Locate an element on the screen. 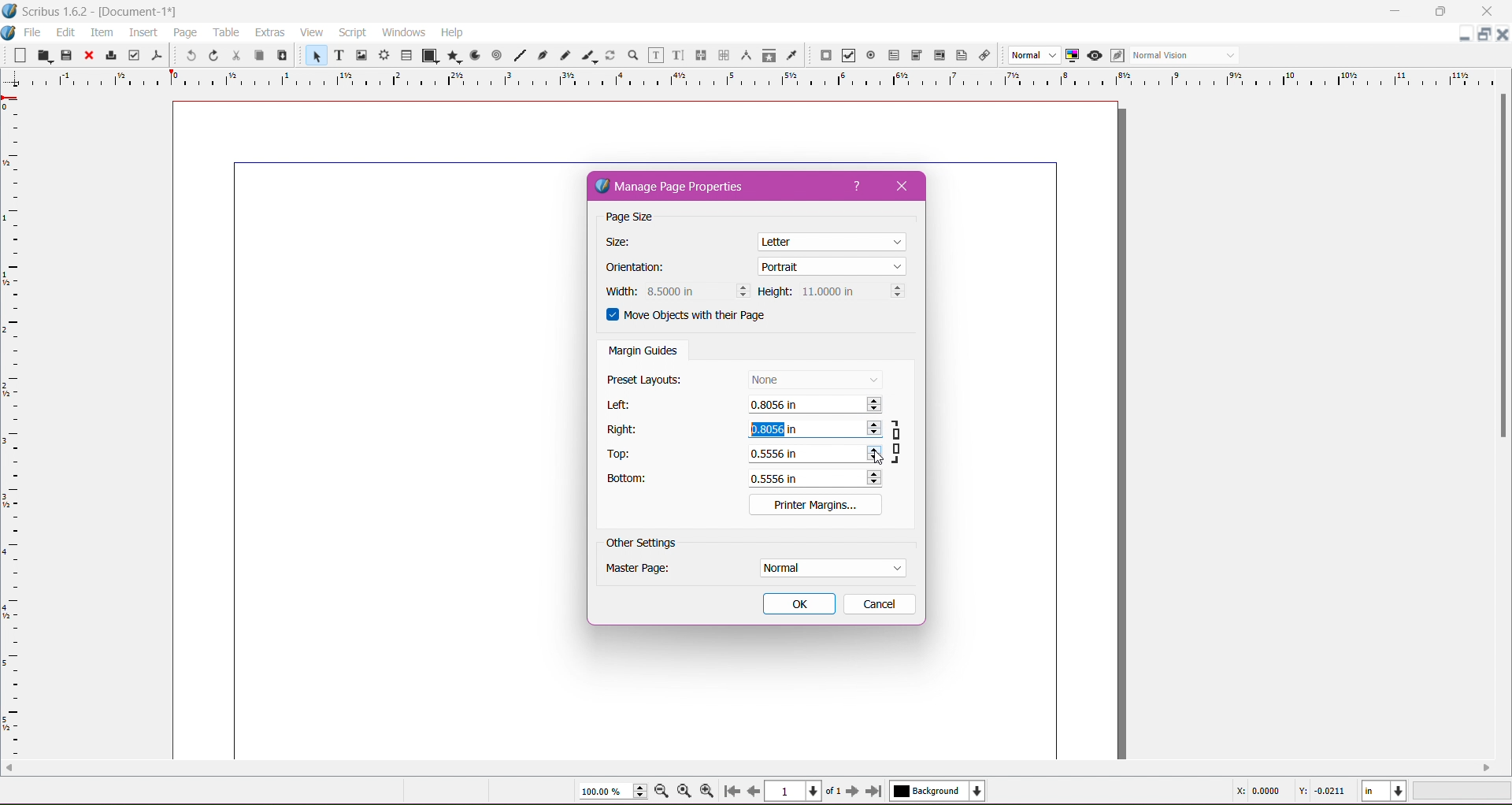 This screenshot has height=805, width=1512. Select the visual appearance of the display is located at coordinates (1188, 56).